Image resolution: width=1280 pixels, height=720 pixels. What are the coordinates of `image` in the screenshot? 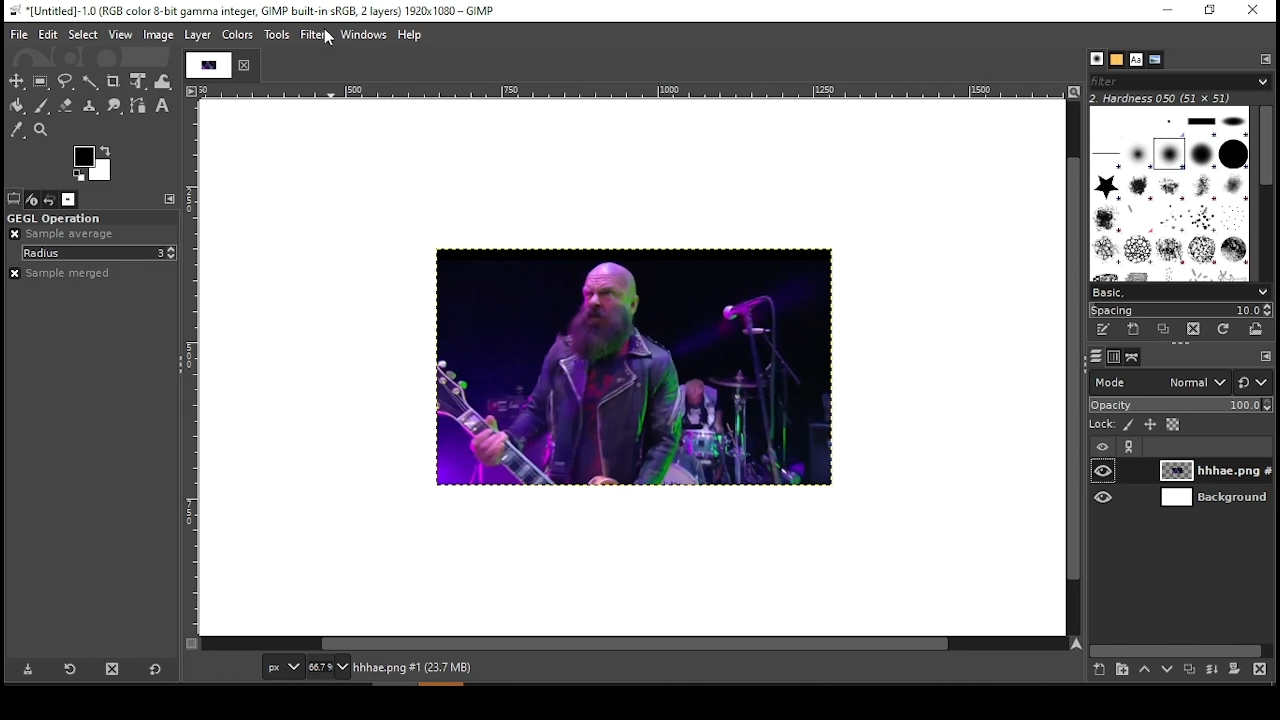 It's located at (159, 34).